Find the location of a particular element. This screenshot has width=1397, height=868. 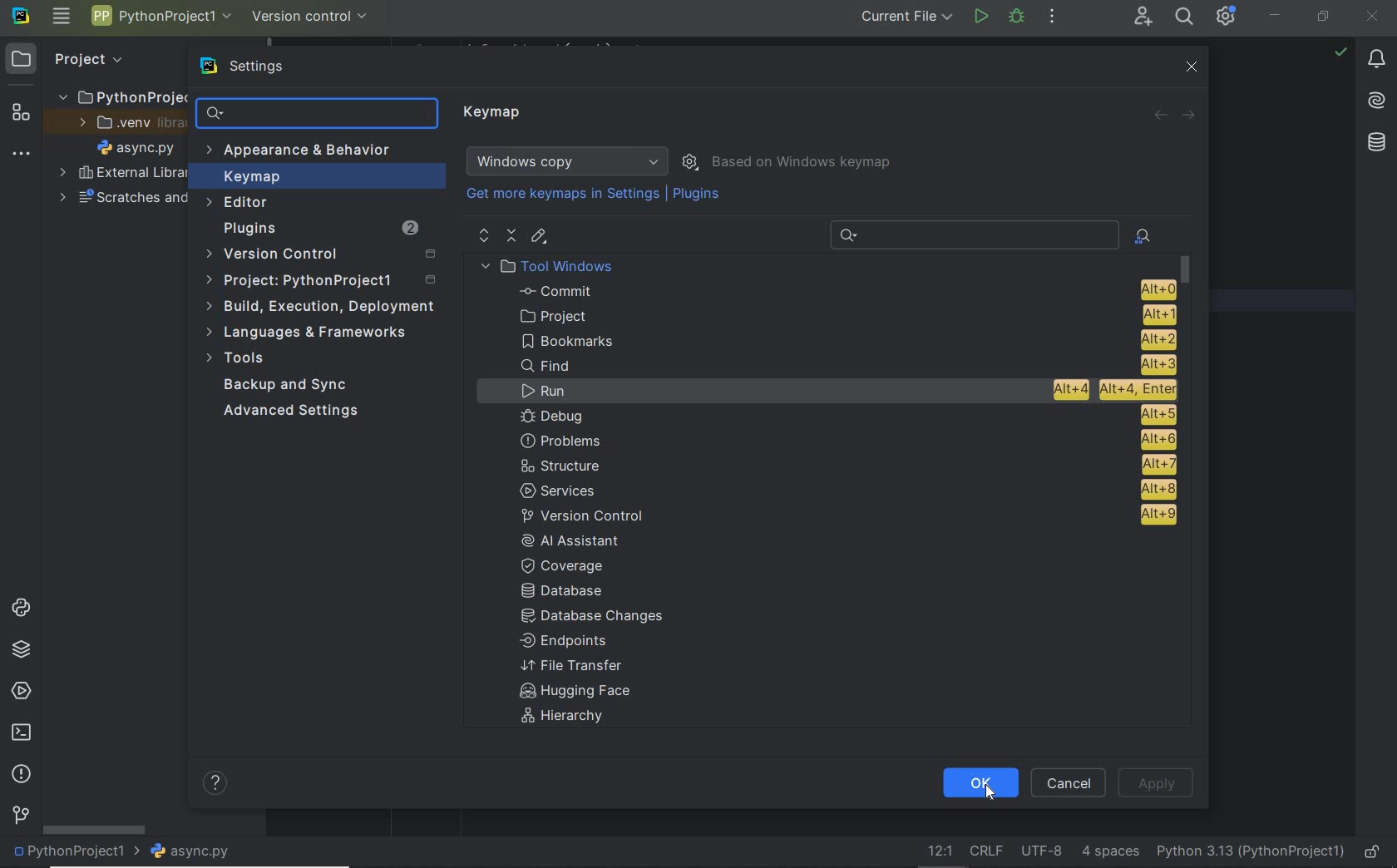

python consoles is located at coordinates (19, 608).